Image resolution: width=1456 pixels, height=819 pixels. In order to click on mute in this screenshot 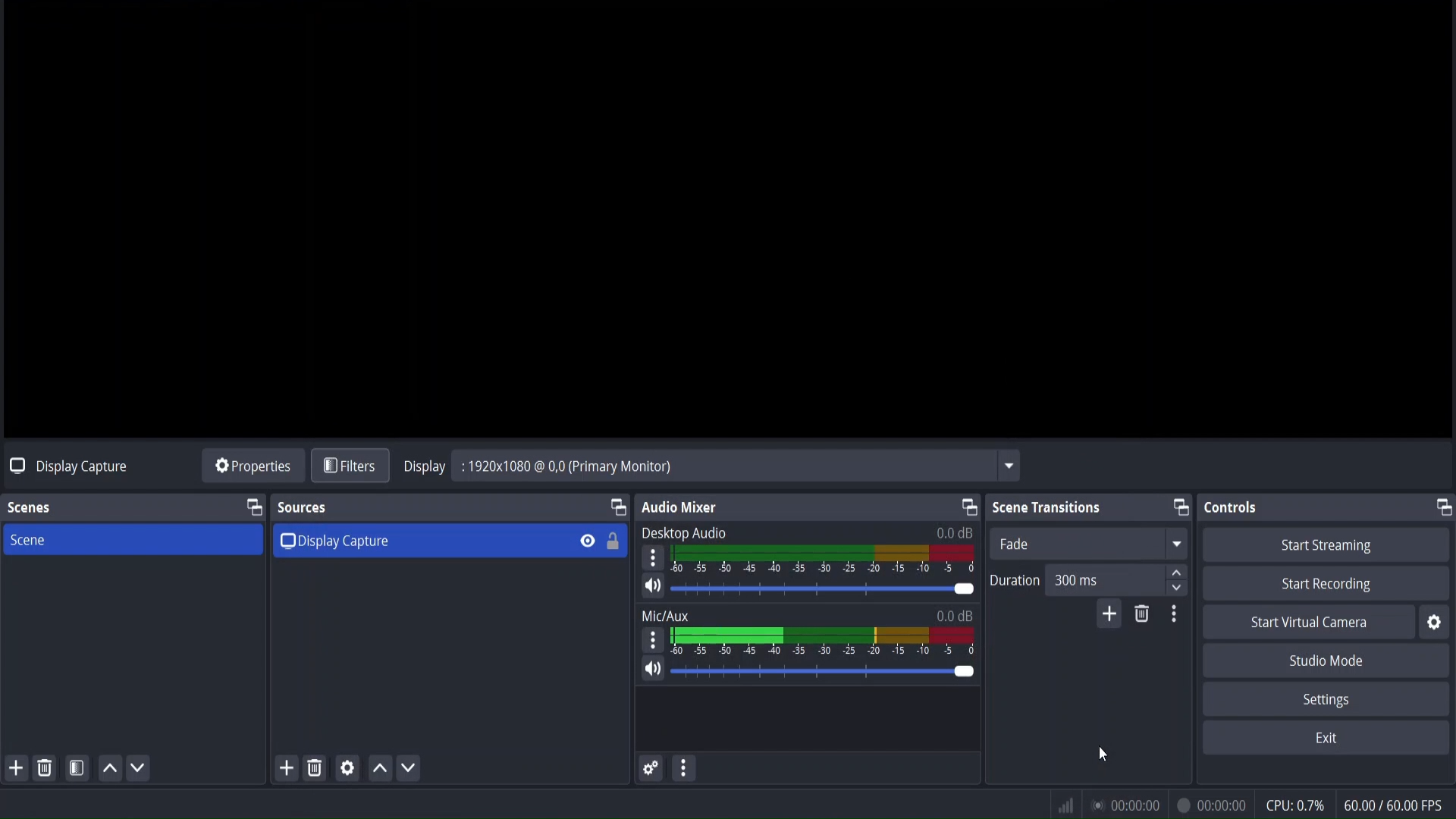, I will do `click(654, 670)`.